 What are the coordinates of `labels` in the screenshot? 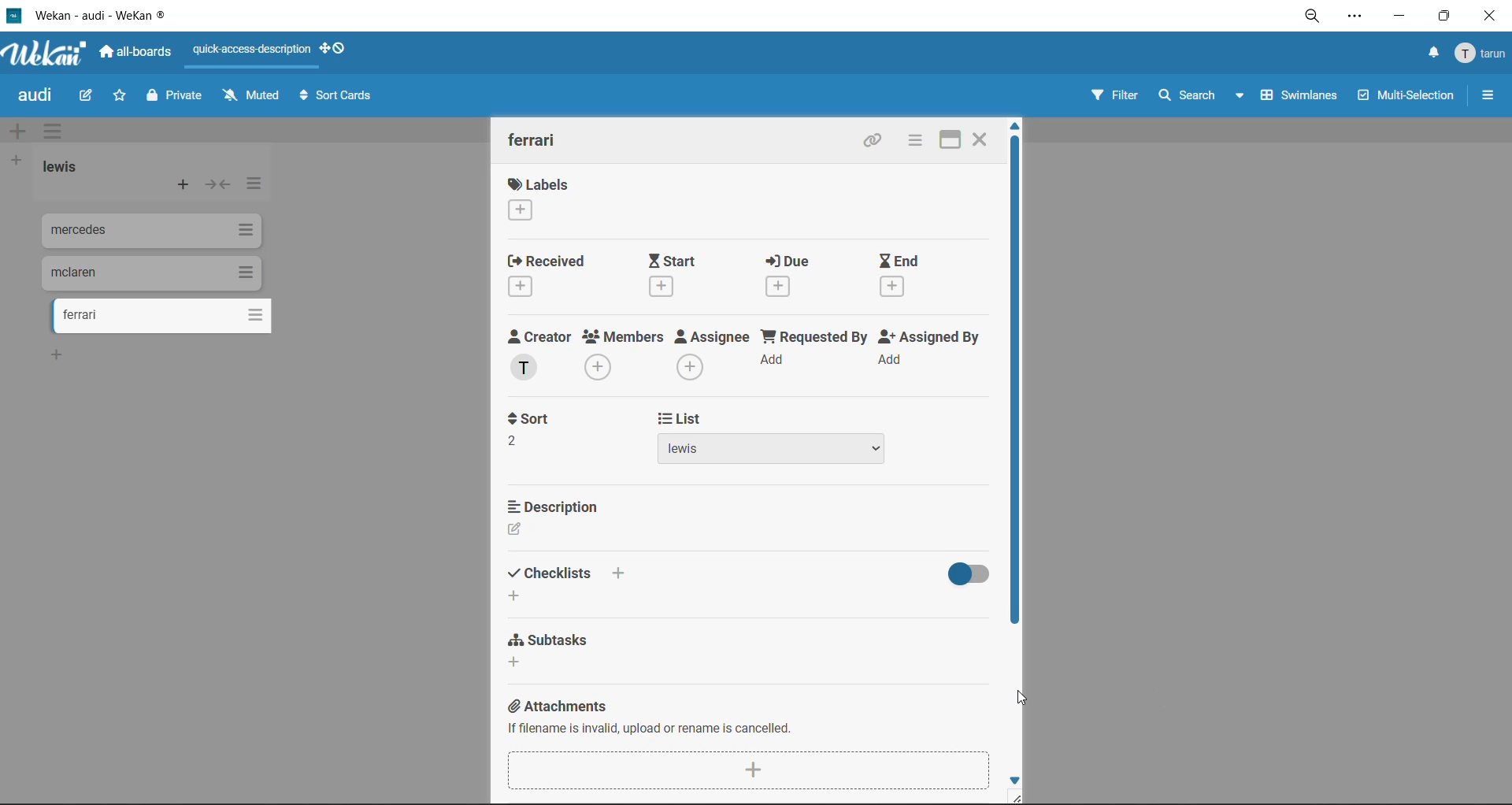 It's located at (543, 198).